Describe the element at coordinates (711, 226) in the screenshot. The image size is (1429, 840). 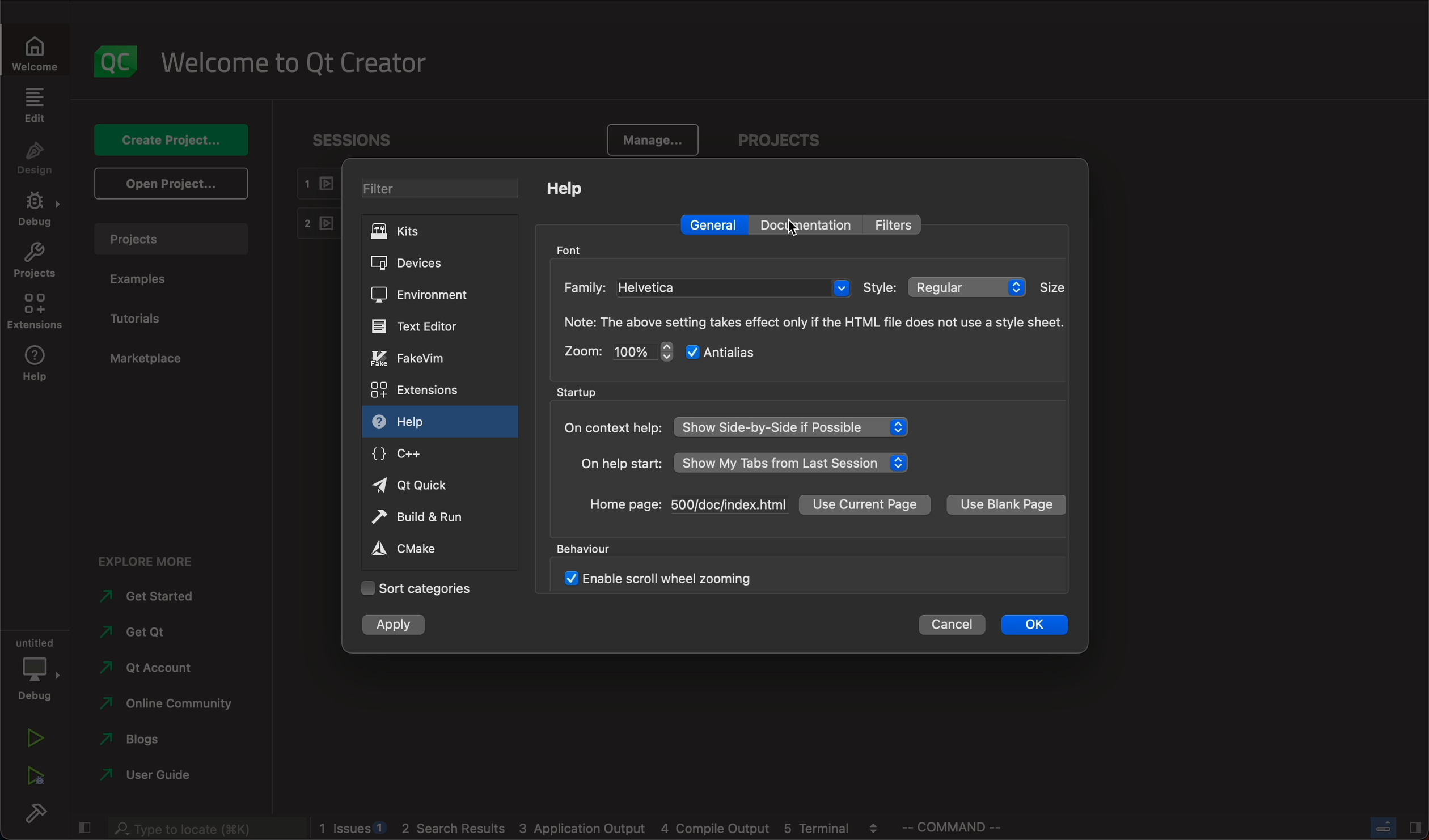
I see `general` at that location.